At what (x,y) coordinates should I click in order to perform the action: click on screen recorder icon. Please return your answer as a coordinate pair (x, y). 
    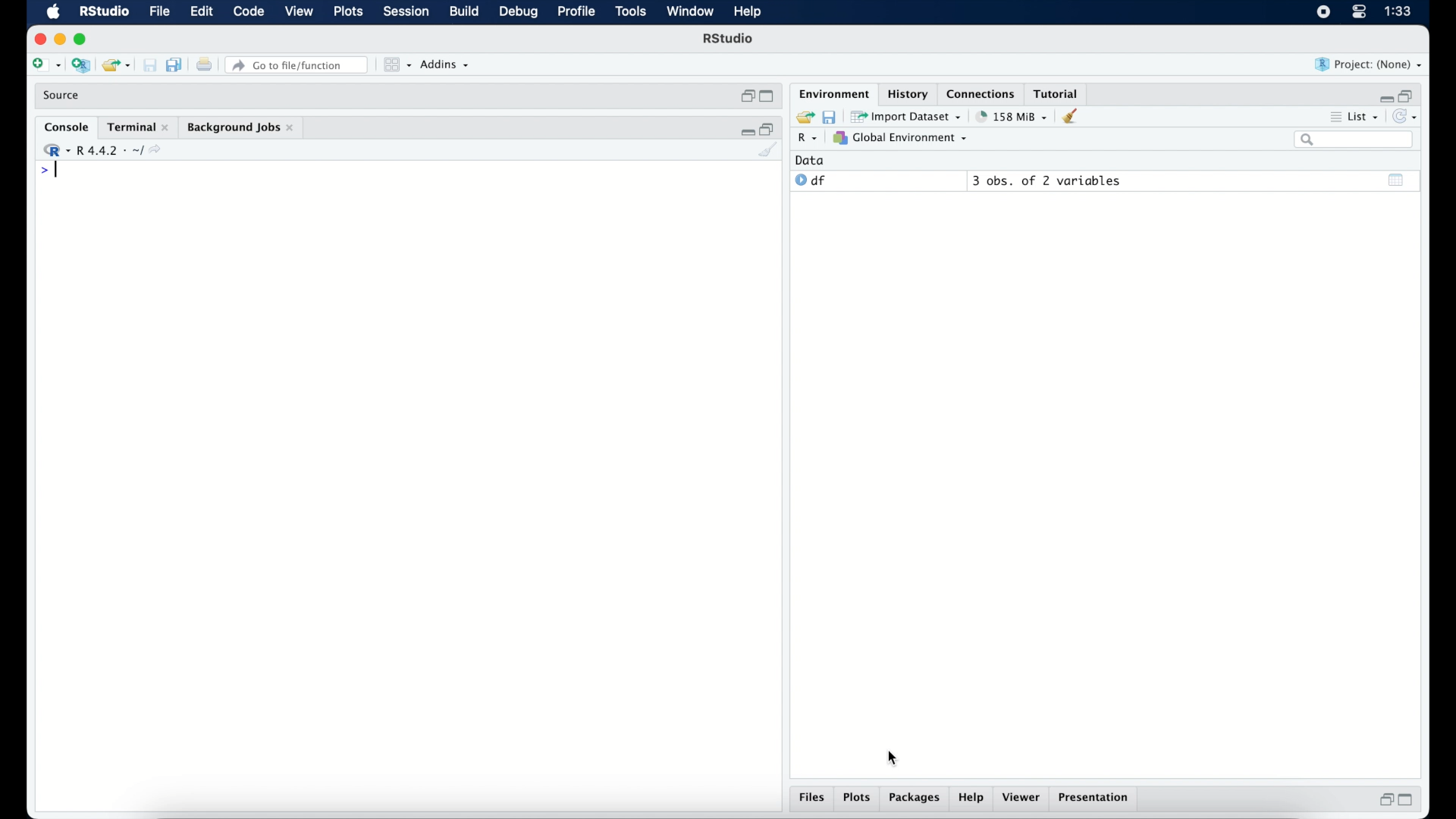
    Looking at the image, I should click on (1323, 12).